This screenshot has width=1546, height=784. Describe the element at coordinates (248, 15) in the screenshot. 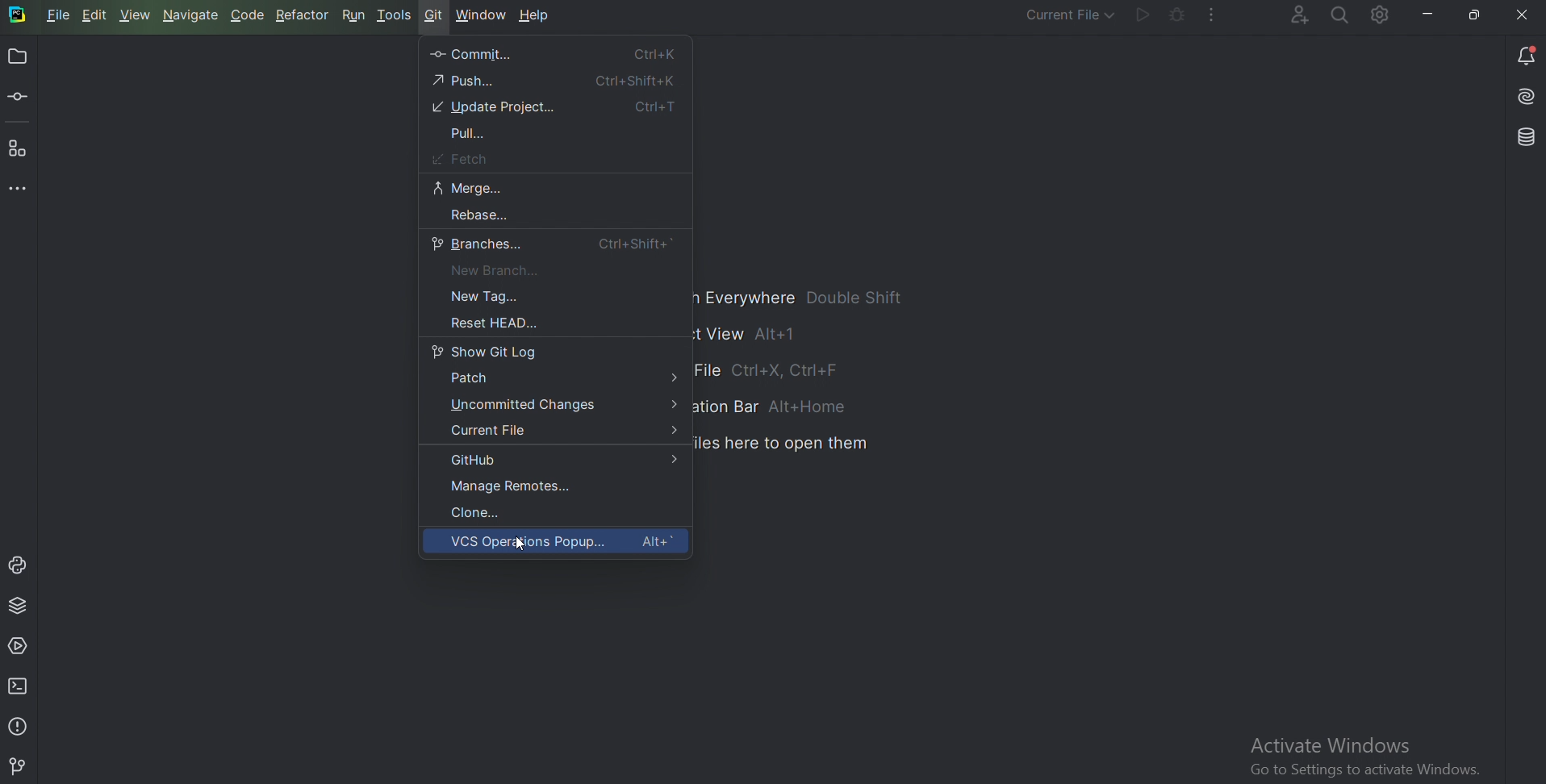

I see `Code` at that location.